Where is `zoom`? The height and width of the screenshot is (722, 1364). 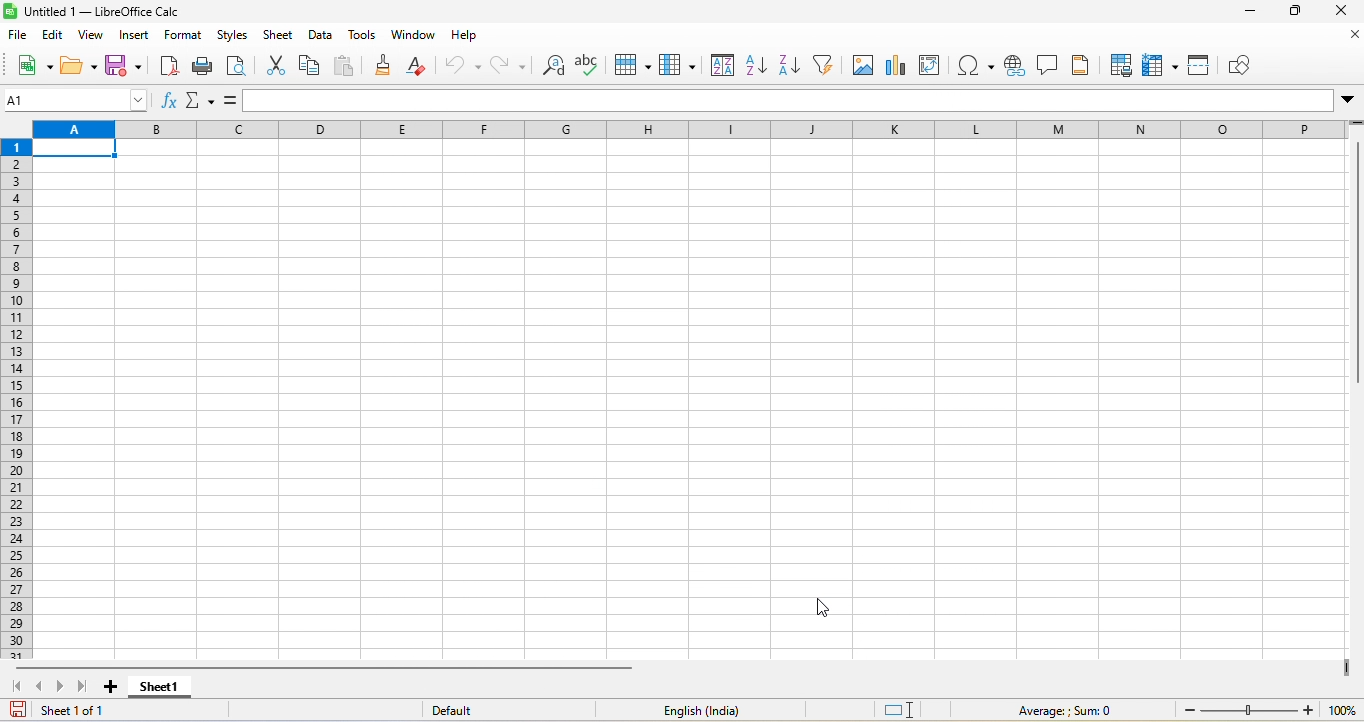
zoom is located at coordinates (1264, 711).